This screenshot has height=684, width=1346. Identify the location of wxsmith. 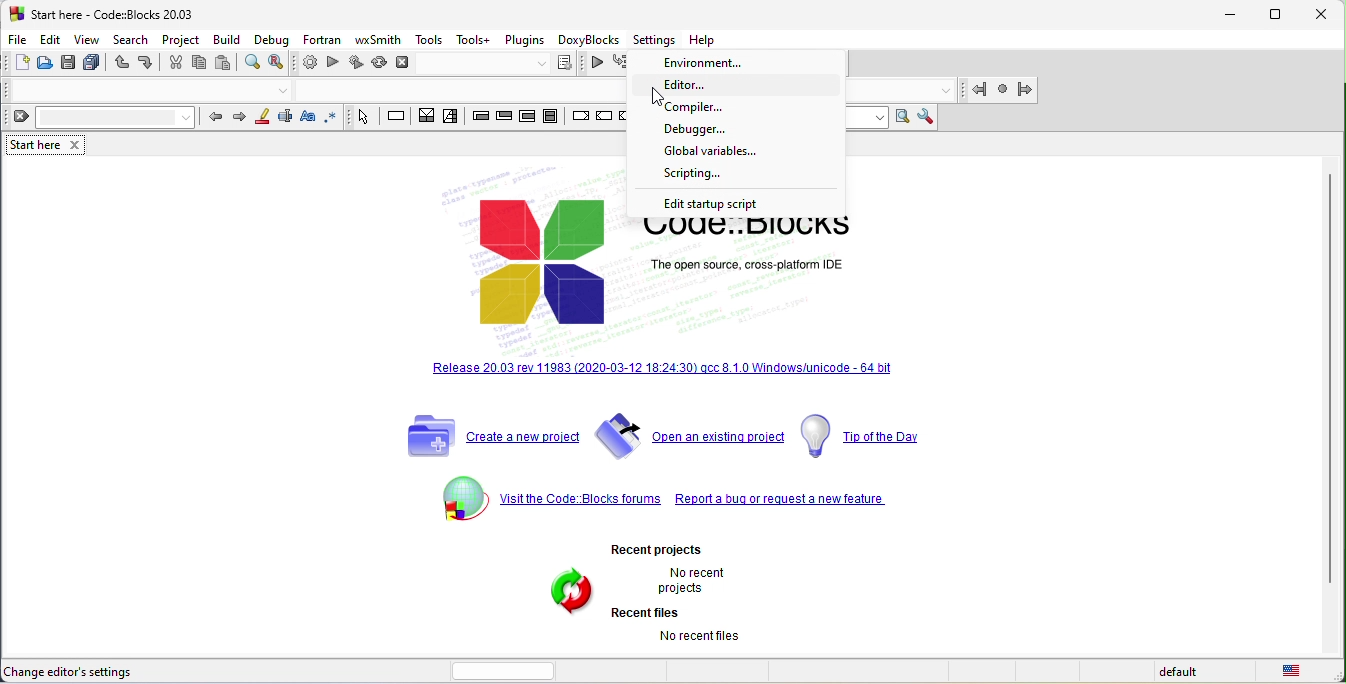
(379, 39).